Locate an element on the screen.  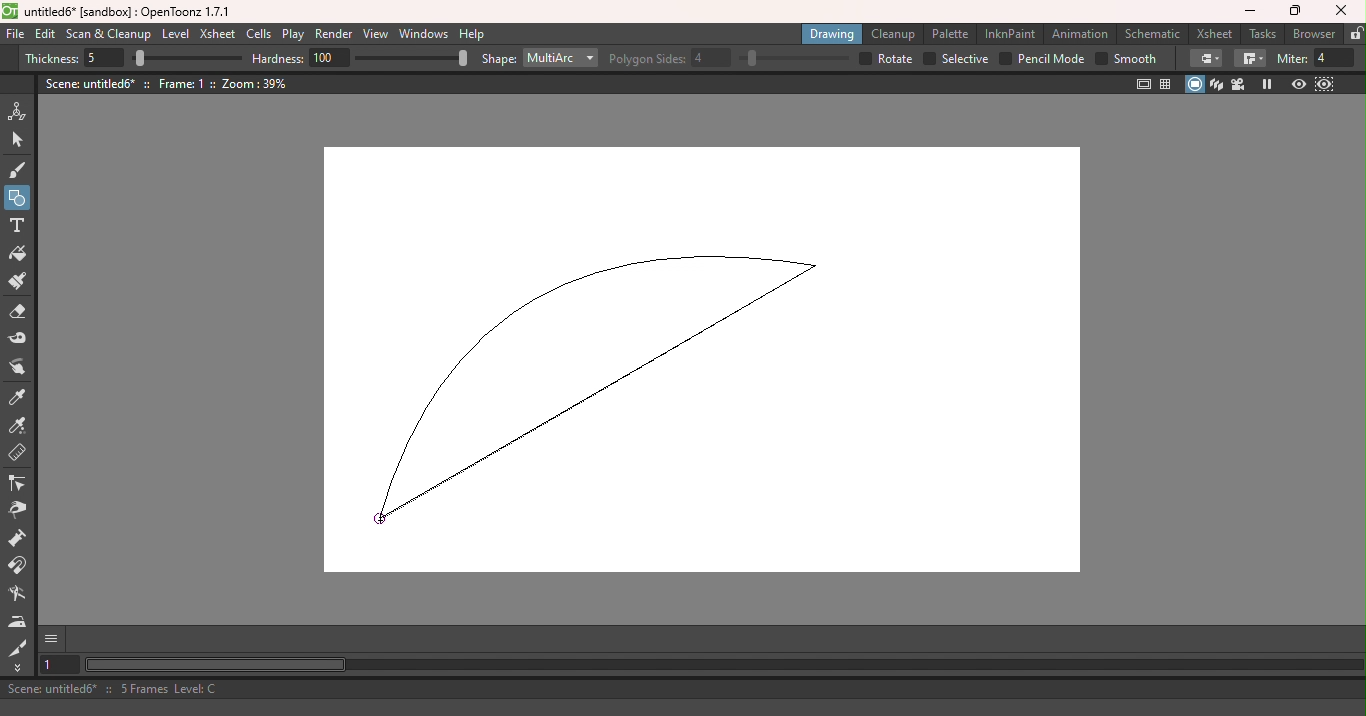
Camera stand view is located at coordinates (1195, 84).